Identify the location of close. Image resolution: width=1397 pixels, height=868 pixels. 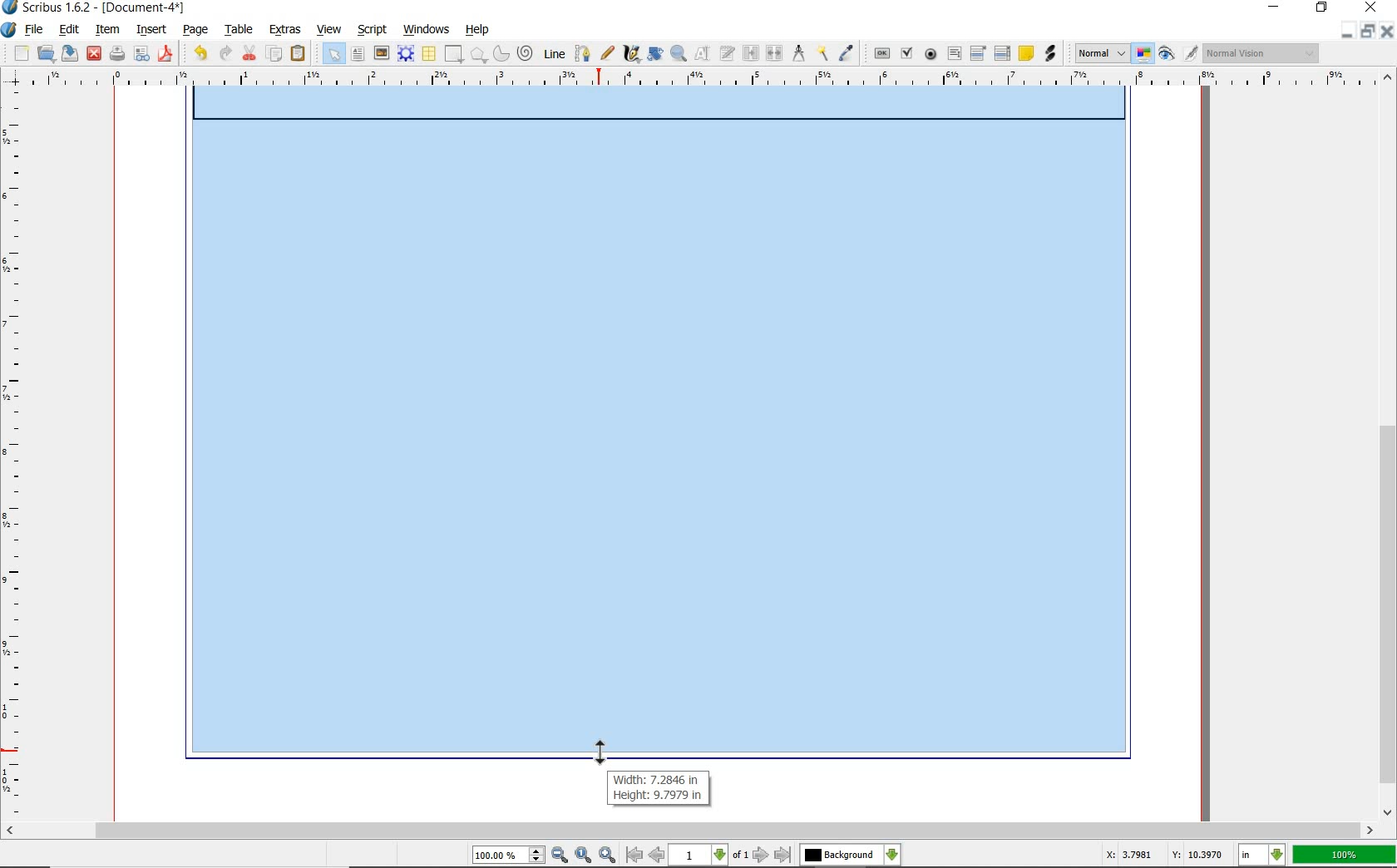
(94, 54).